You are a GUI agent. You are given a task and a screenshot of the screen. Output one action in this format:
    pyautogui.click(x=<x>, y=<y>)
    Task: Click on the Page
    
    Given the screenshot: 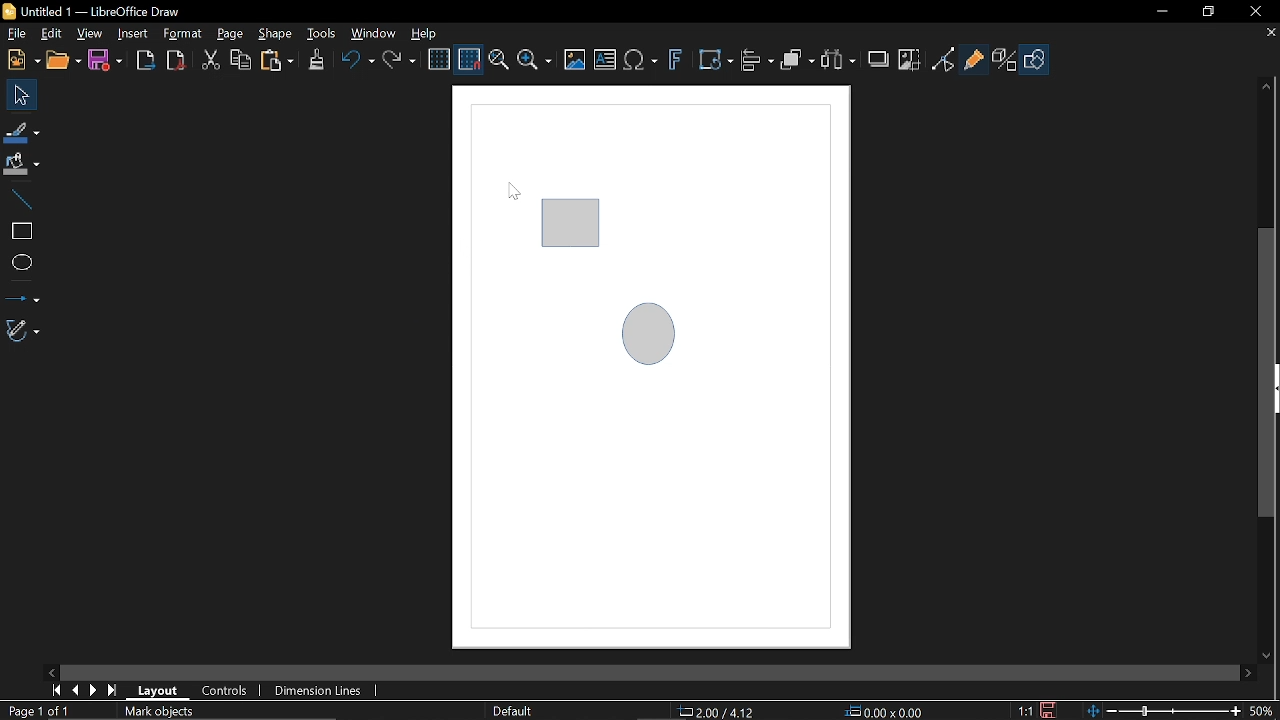 What is the action you would take?
    pyautogui.click(x=230, y=35)
    